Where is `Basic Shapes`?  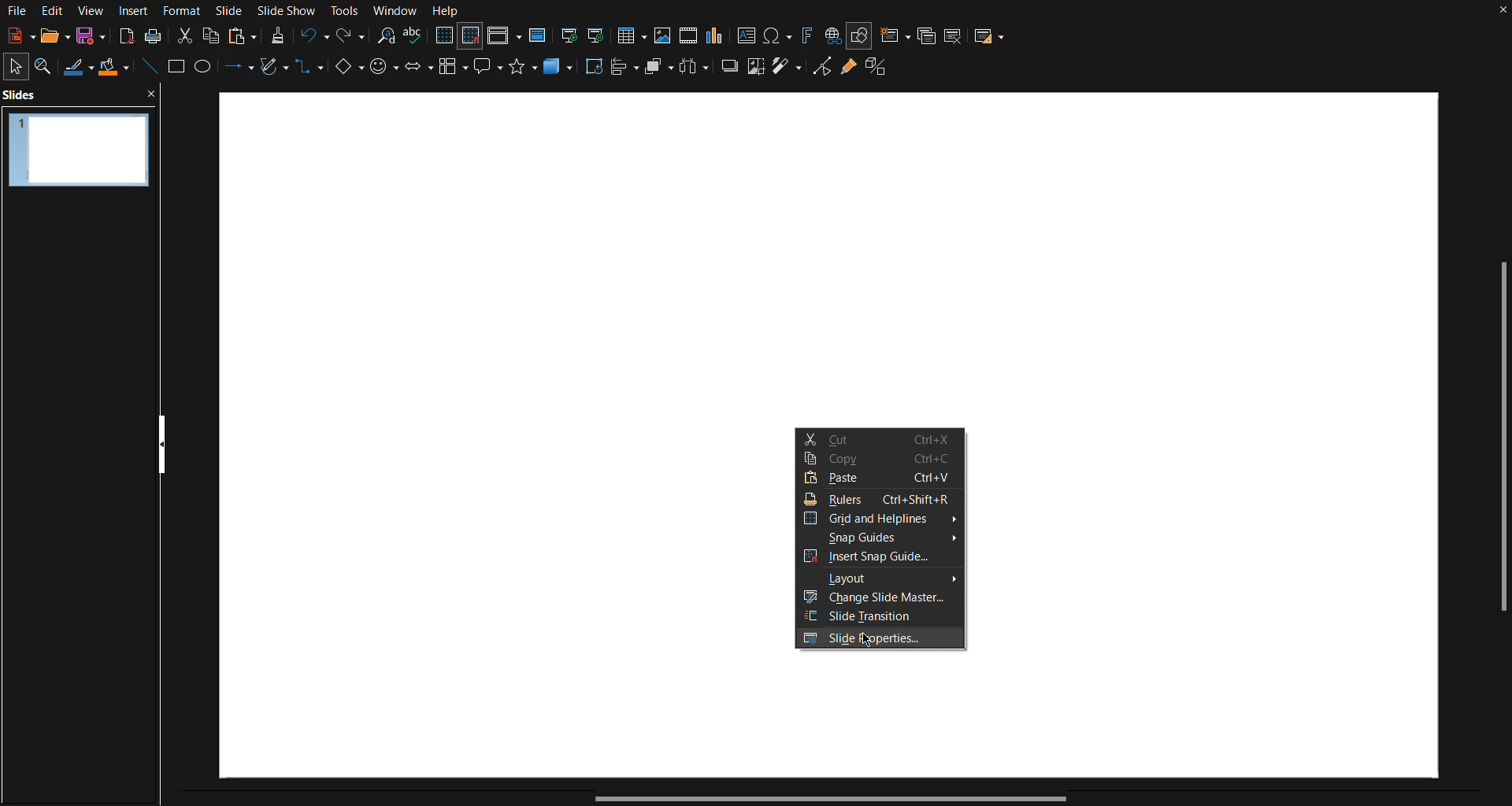
Basic Shapes is located at coordinates (346, 72).